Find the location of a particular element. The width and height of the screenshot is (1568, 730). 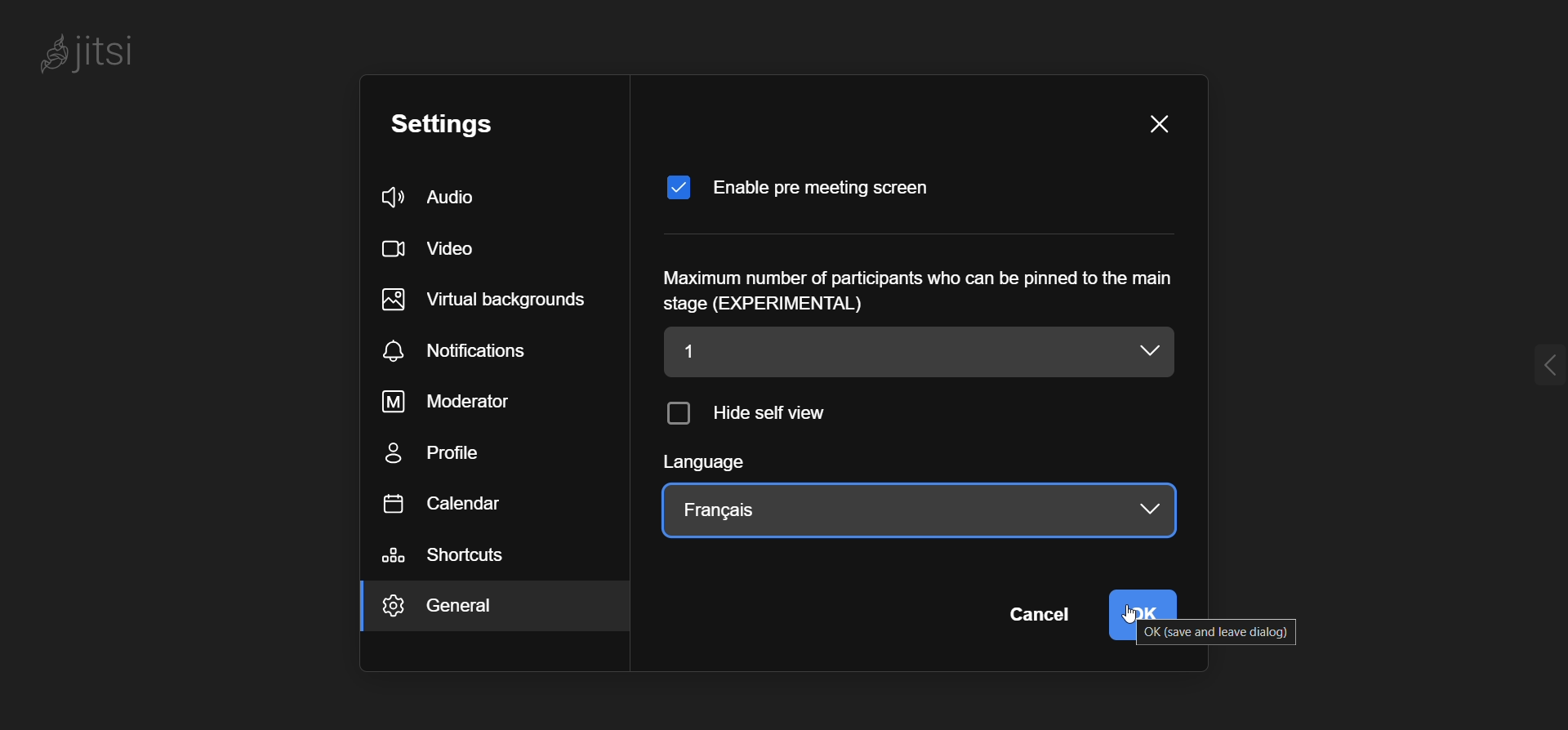

OK (save and leave dialog)  is located at coordinates (1210, 632).